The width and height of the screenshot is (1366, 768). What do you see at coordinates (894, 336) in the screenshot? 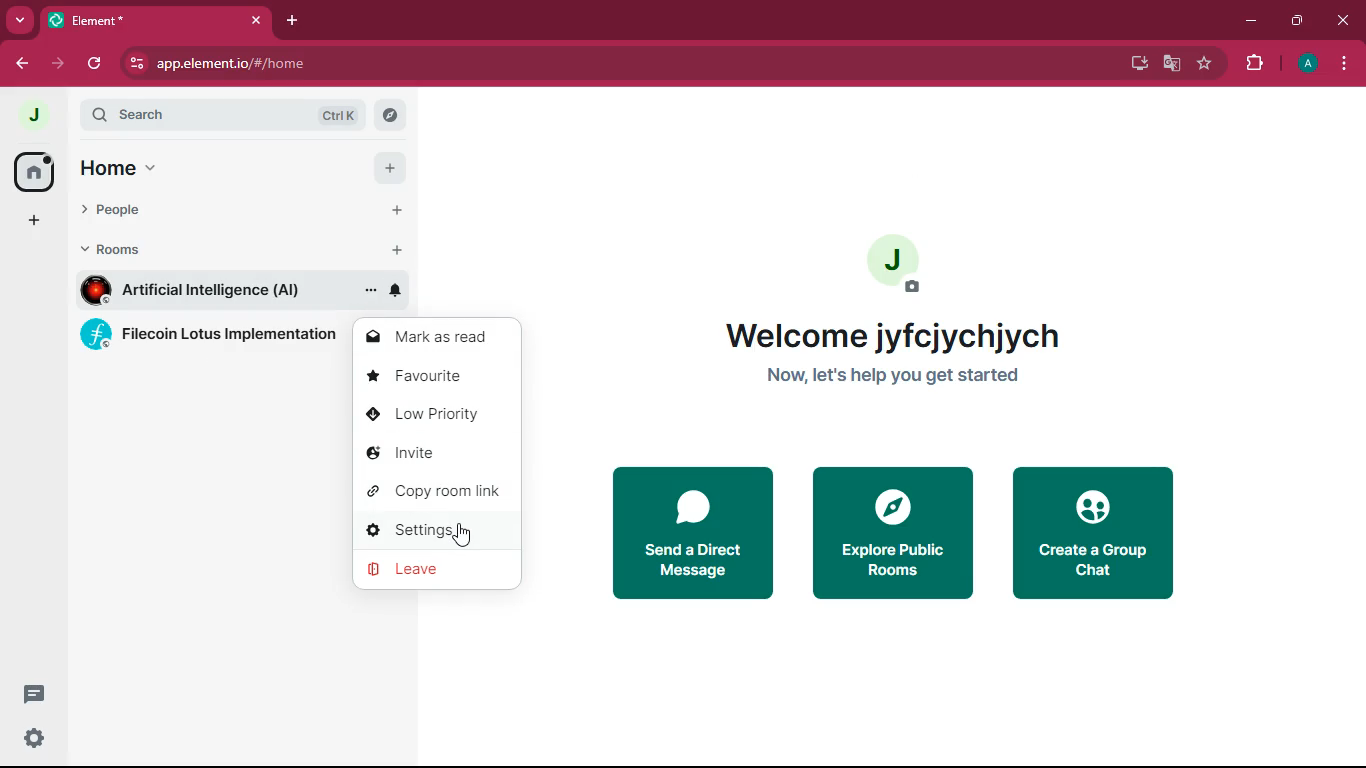
I see `welcome` at bounding box center [894, 336].